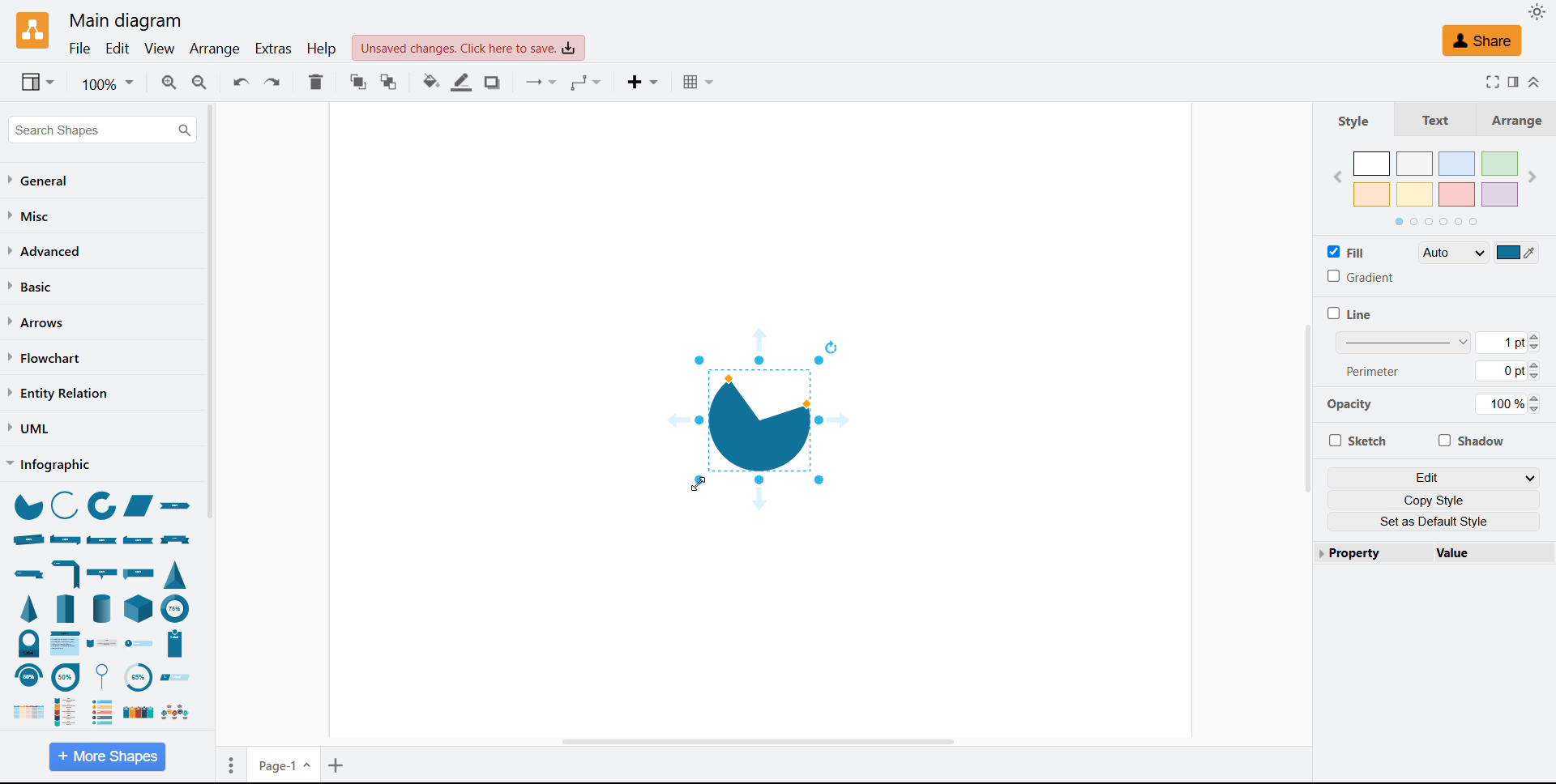 The height and width of the screenshot is (784, 1556). What do you see at coordinates (1347, 251) in the screenshot?
I see `fill ` at bounding box center [1347, 251].